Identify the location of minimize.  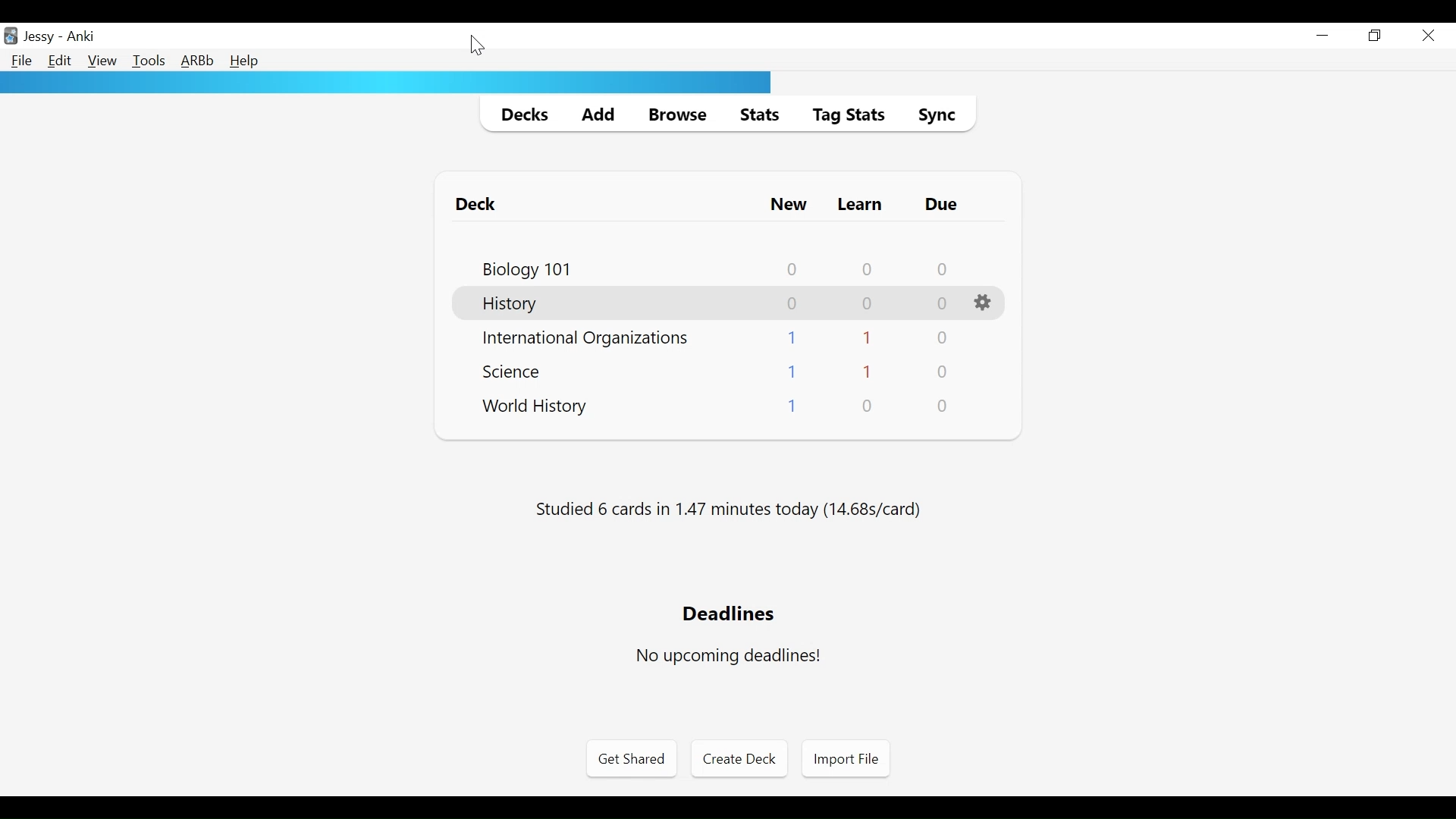
(1323, 35).